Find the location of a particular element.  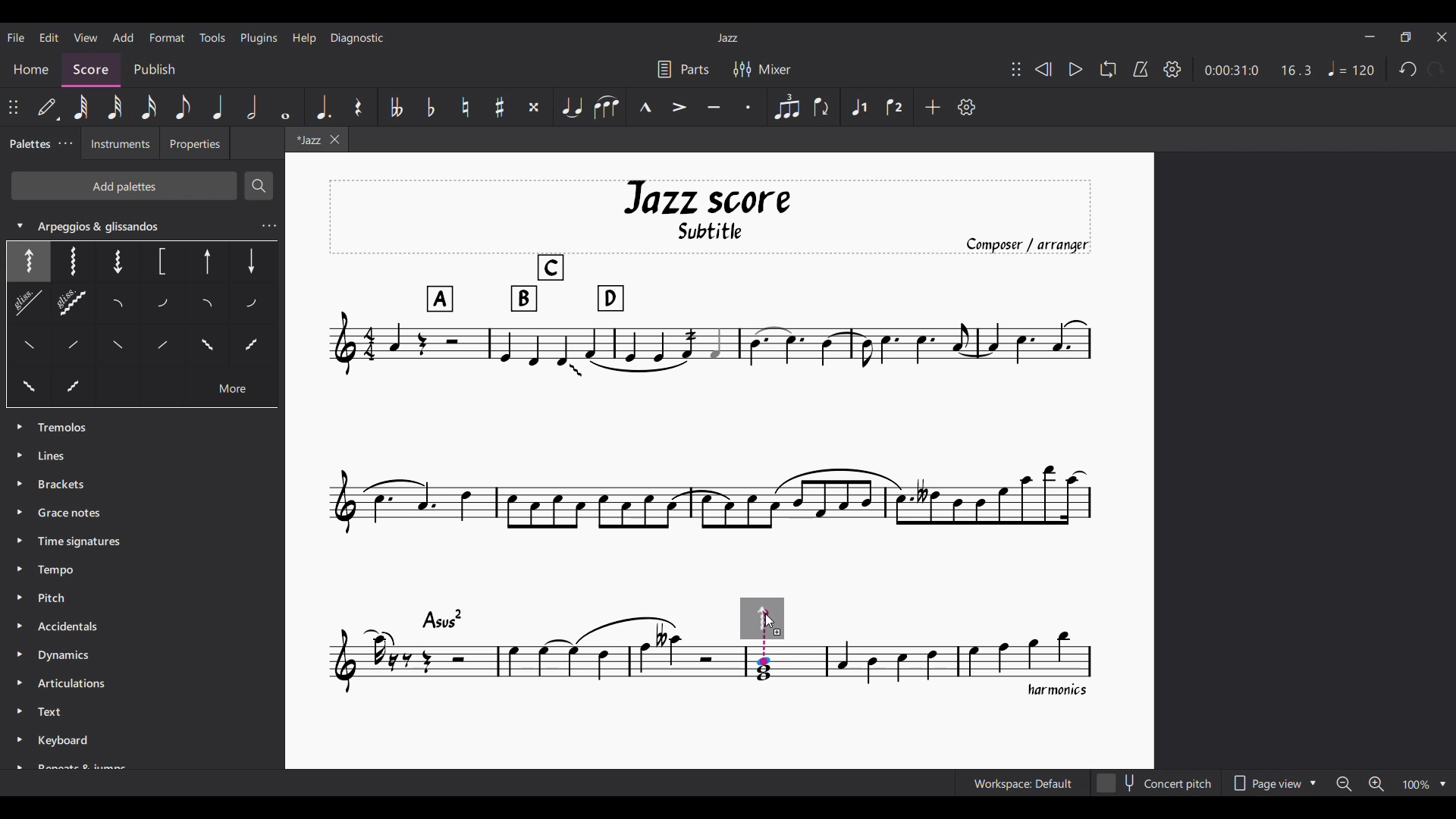

Default is located at coordinates (49, 107).